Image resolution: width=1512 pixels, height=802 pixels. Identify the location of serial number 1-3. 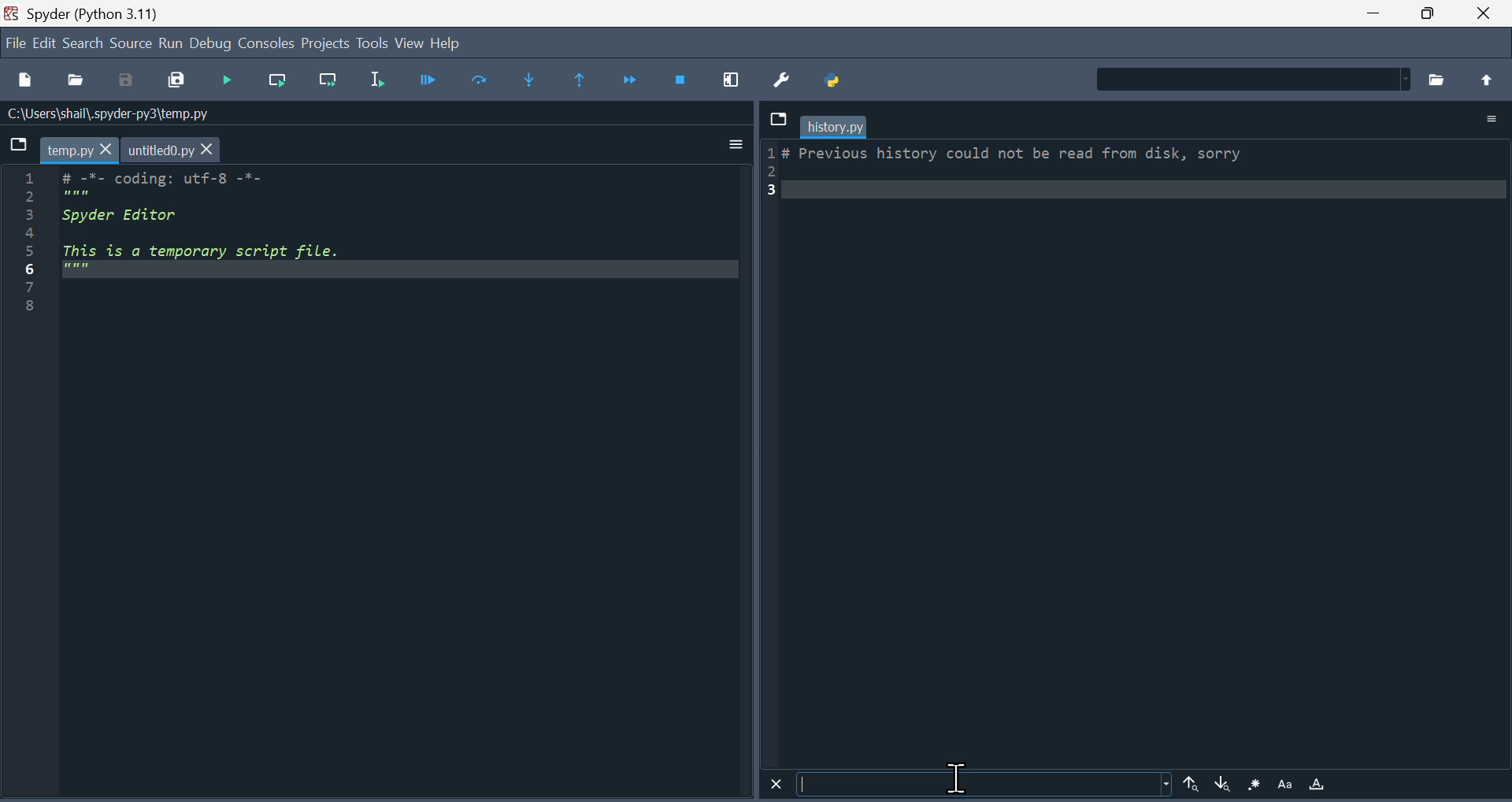
(769, 174).